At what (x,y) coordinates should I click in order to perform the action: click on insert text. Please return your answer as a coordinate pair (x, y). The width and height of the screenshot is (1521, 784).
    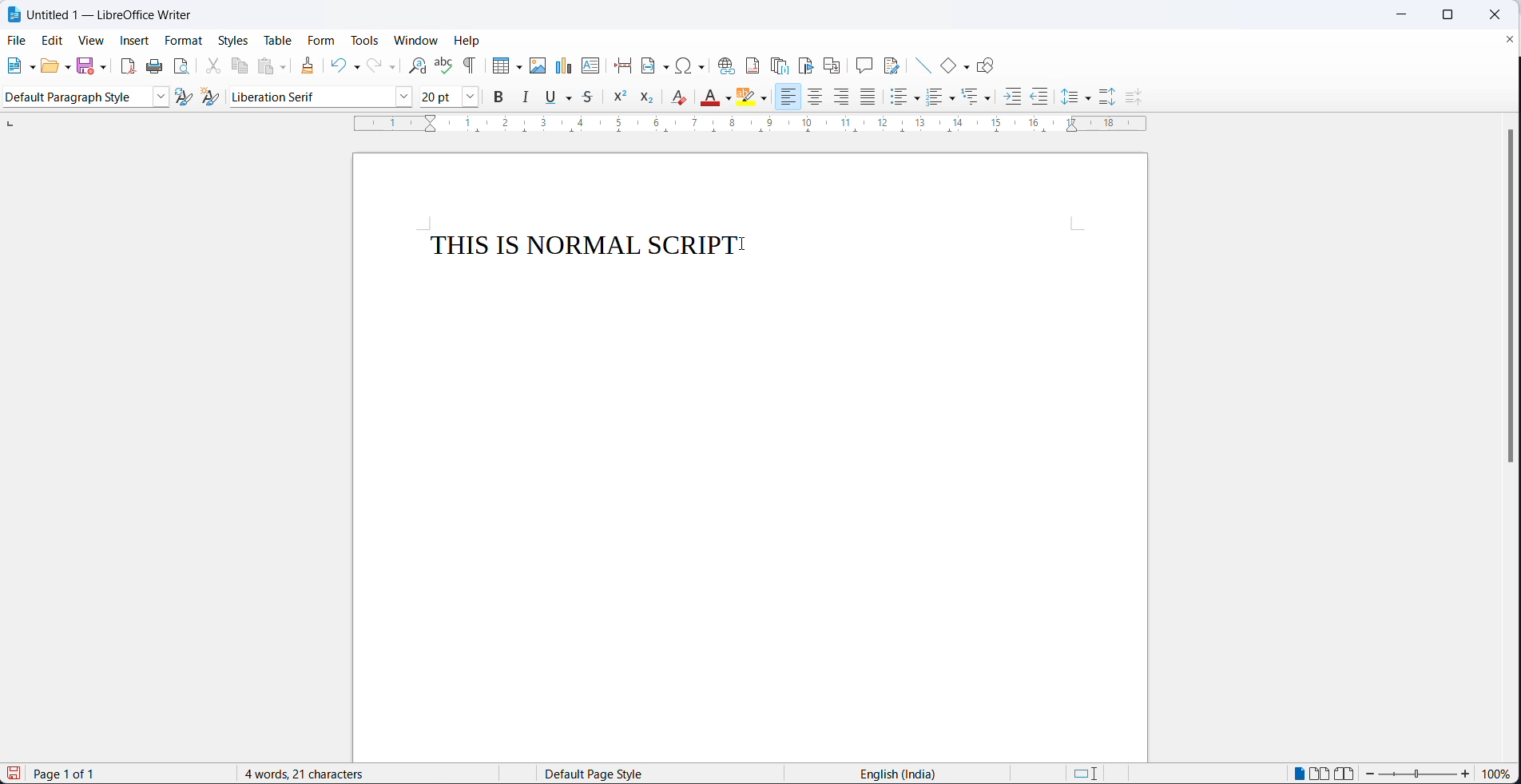
    Looking at the image, I should click on (590, 65).